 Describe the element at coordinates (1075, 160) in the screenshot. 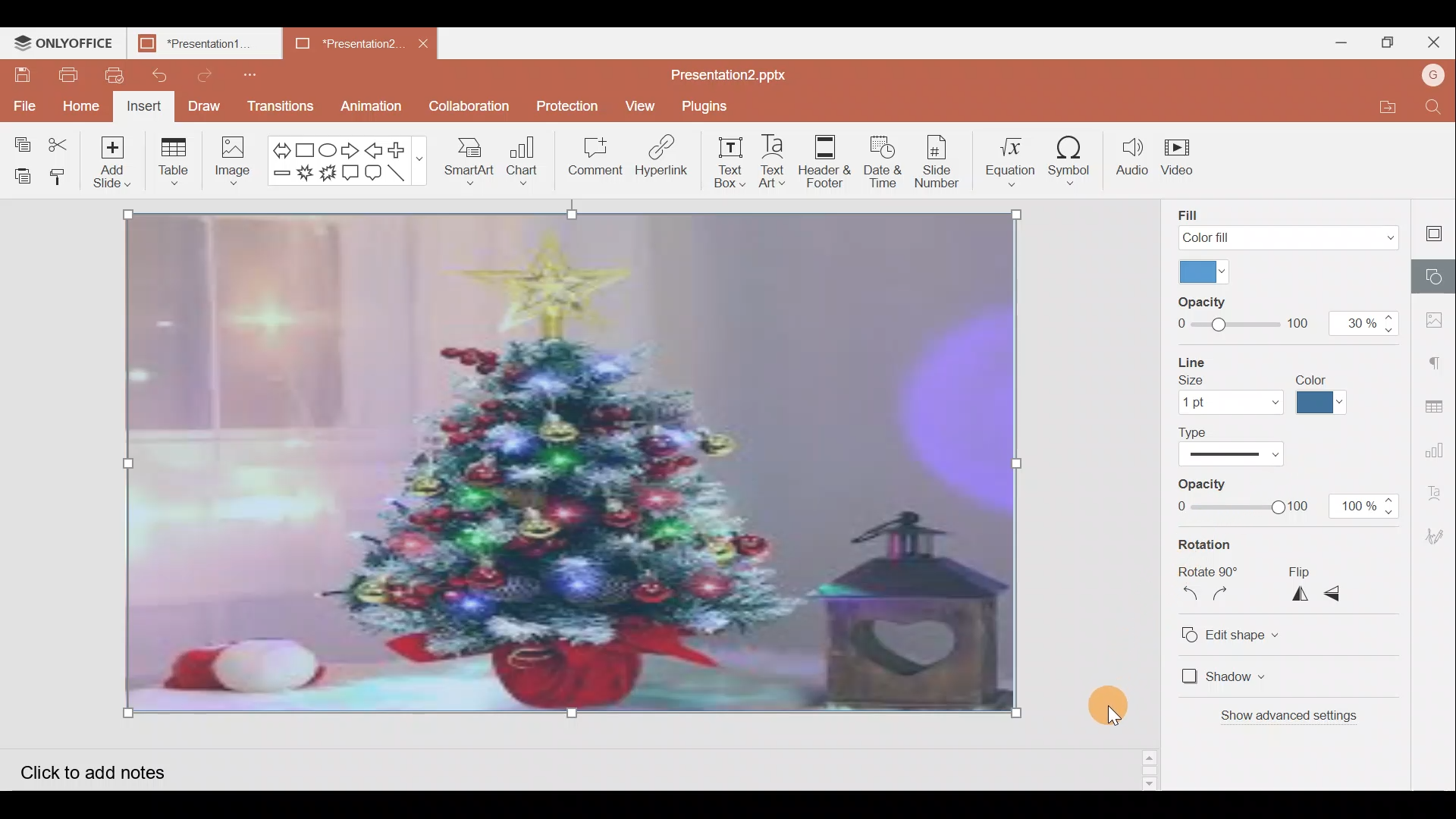

I see `Symbol` at that location.